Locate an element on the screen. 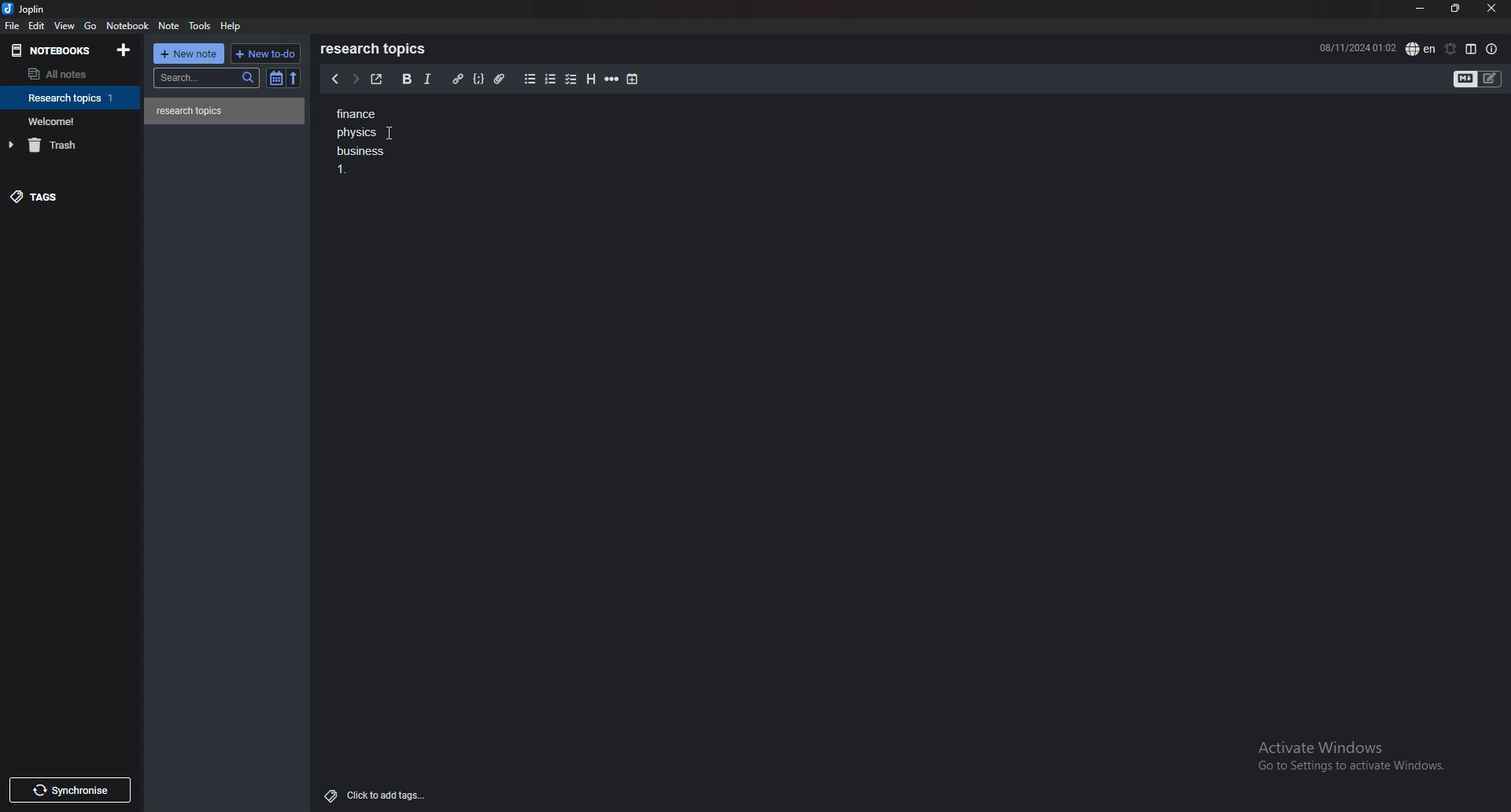  bullet list is located at coordinates (530, 79).